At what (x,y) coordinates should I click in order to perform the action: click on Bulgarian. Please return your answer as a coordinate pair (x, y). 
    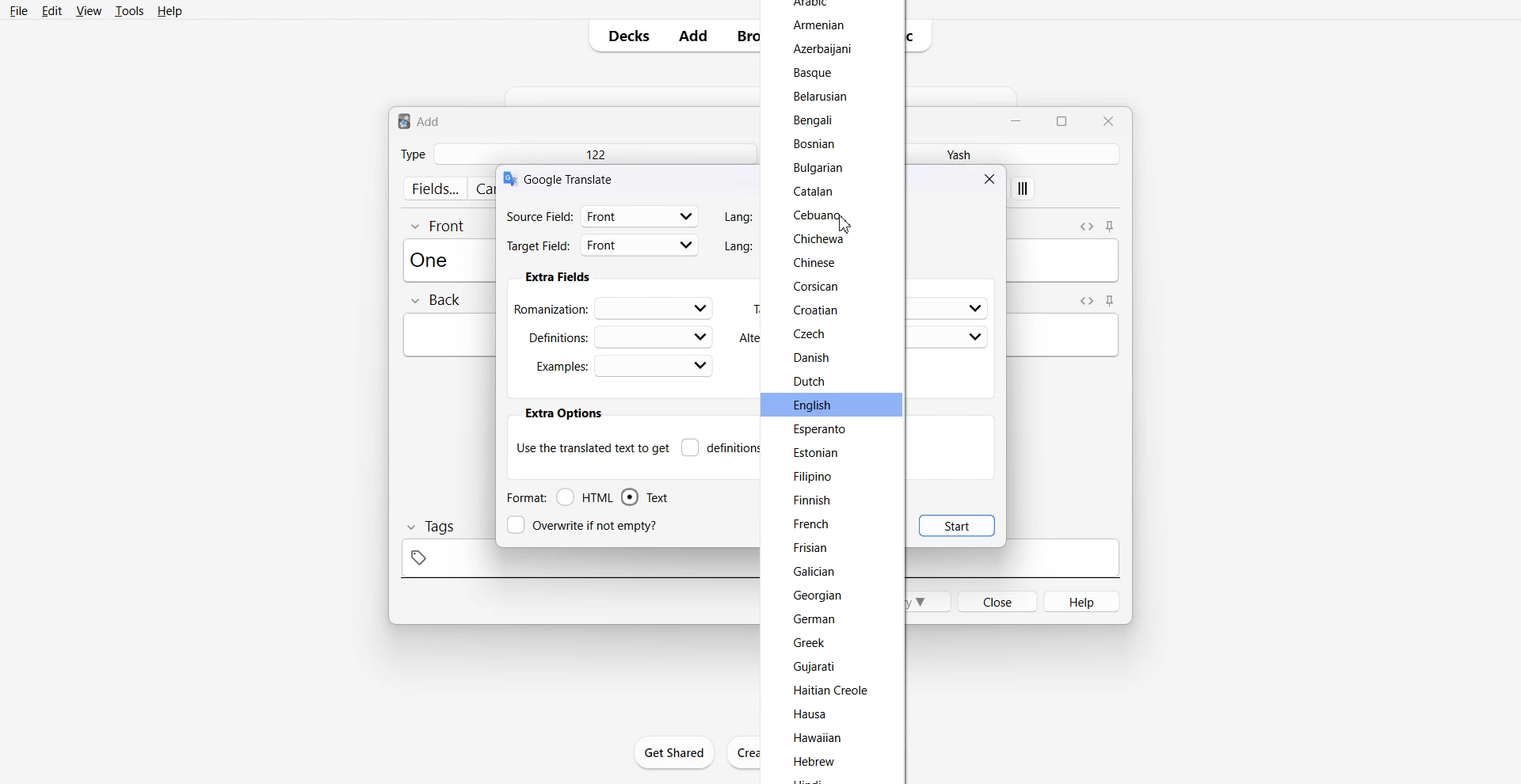
    Looking at the image, I should click on (817, 168).